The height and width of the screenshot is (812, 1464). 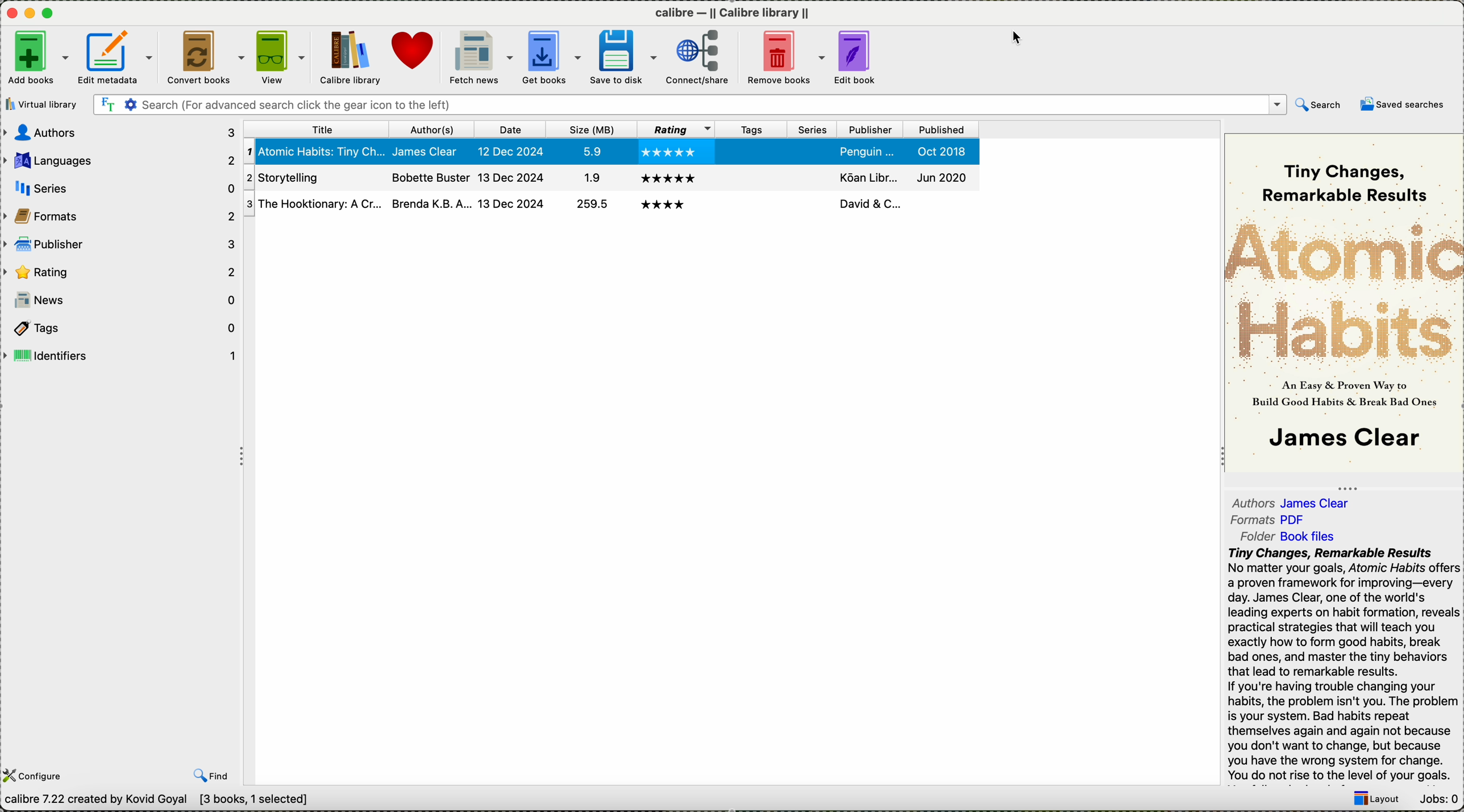 I want to click on close program, so click(x=10, y=12).